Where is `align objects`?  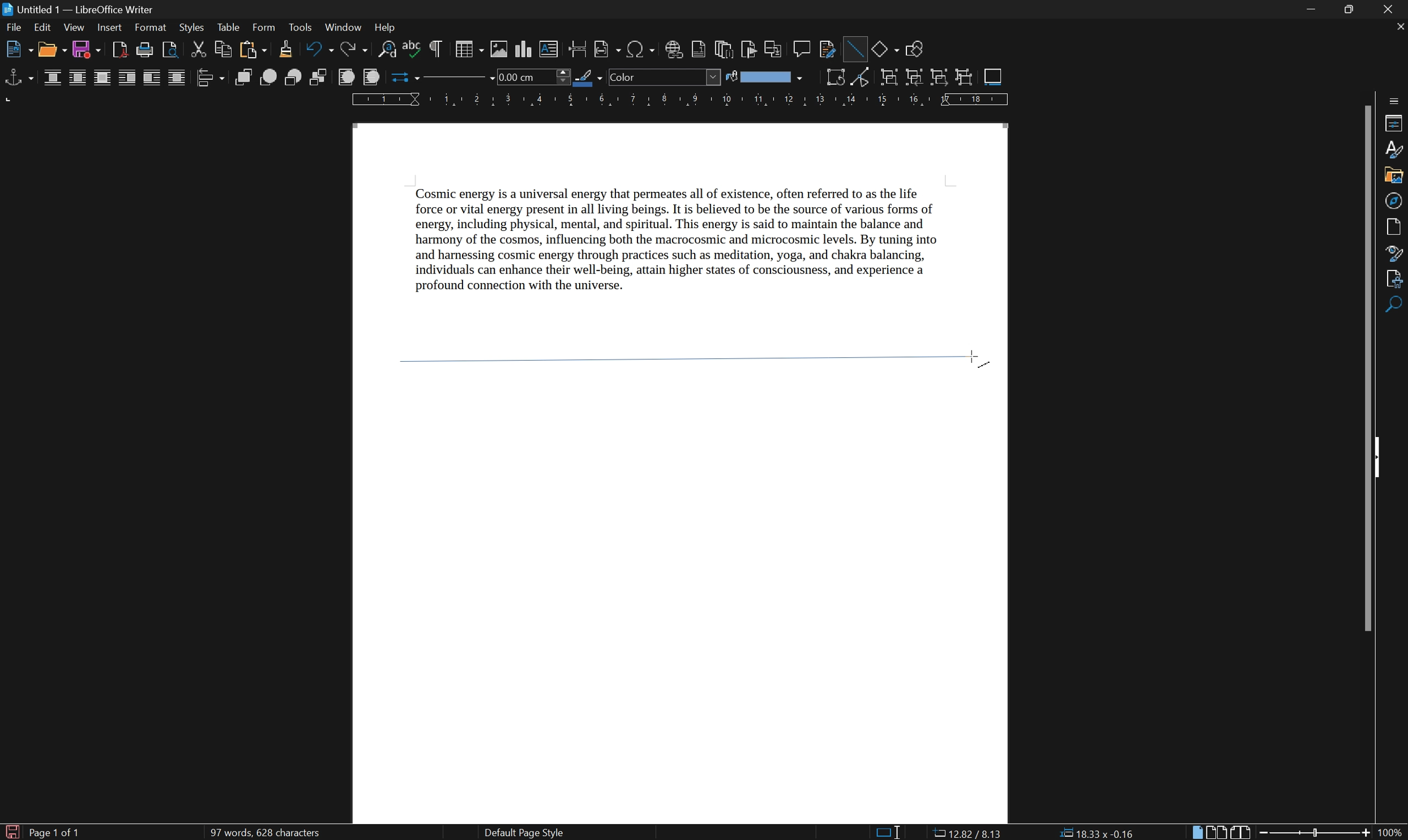
align objects is located at coordinates (209, 78).